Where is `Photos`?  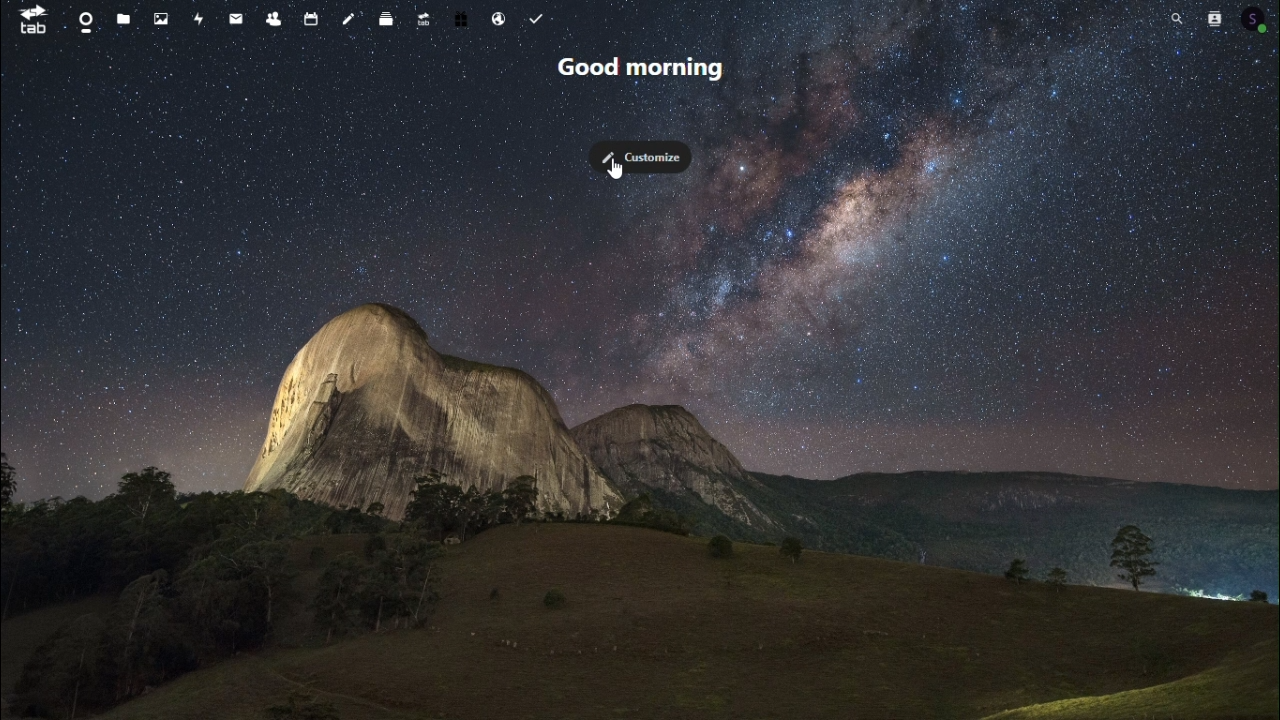
Photos is located at coordinates (159, 18).